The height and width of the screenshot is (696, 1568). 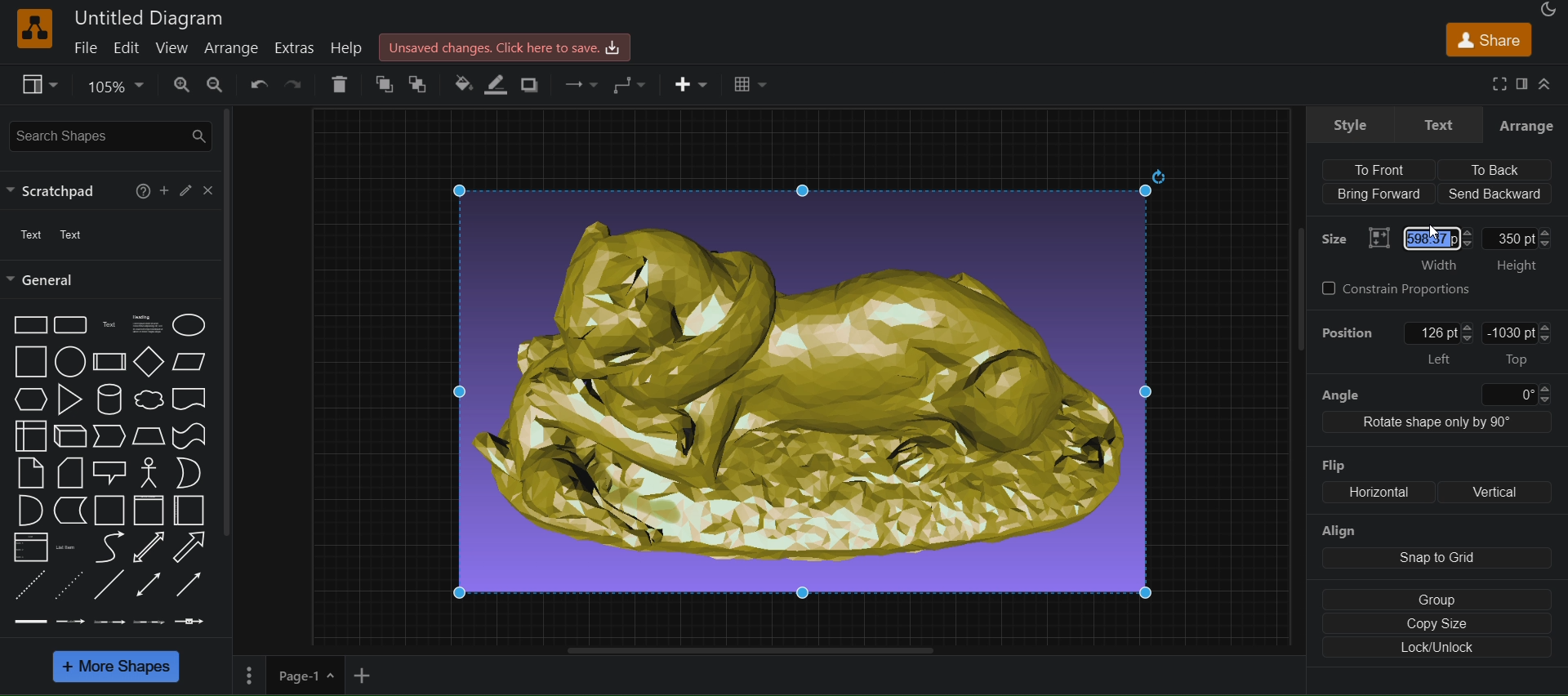 What do you see at coordinates (247, 678) in the screenshot?
I see `Menu` at bounding box center [247, 678].